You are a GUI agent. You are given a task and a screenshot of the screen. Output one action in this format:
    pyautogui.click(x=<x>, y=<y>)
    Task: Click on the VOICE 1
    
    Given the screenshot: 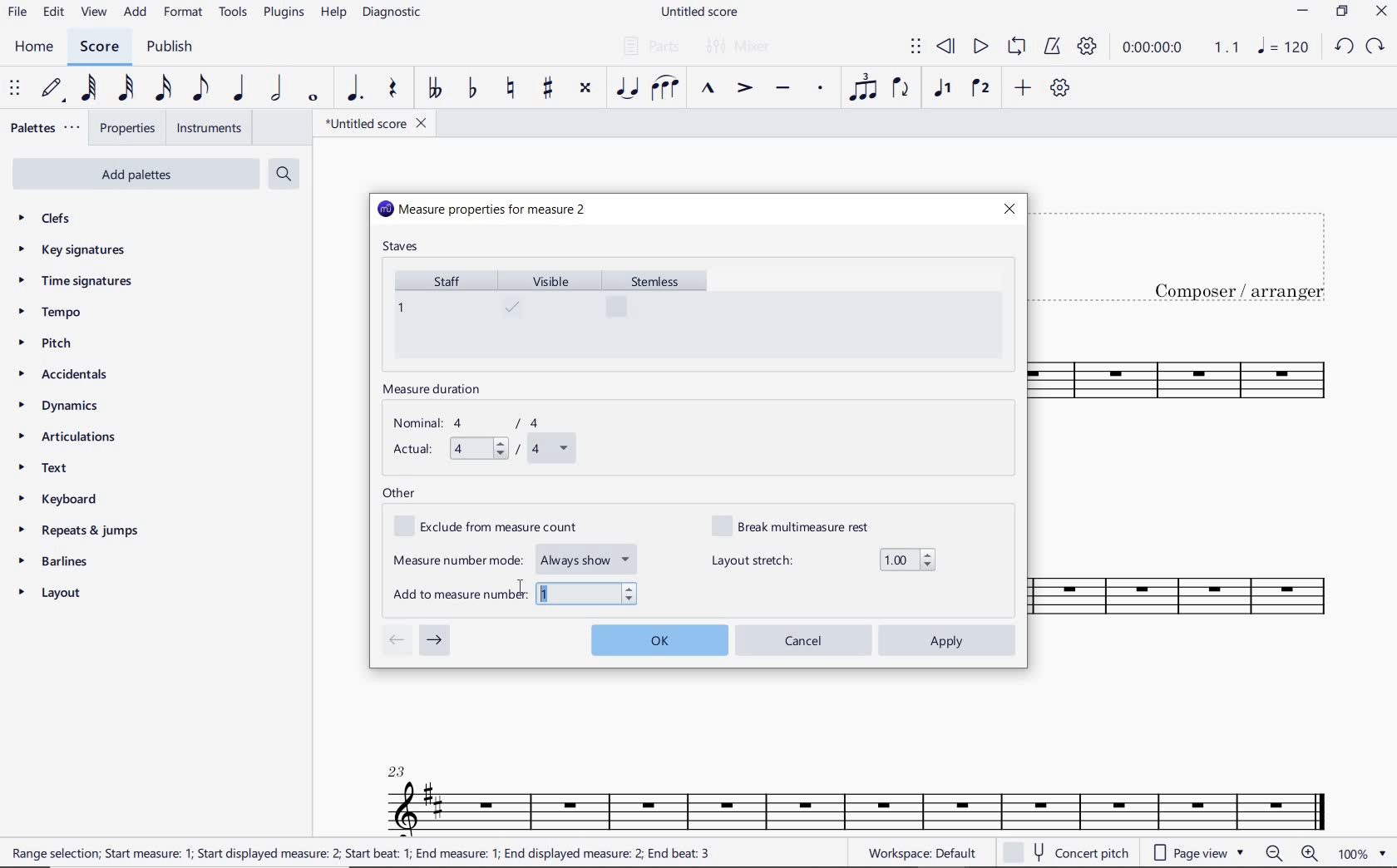 What is the action you would take?
    pyautogui.click(x=941, y=89)
    